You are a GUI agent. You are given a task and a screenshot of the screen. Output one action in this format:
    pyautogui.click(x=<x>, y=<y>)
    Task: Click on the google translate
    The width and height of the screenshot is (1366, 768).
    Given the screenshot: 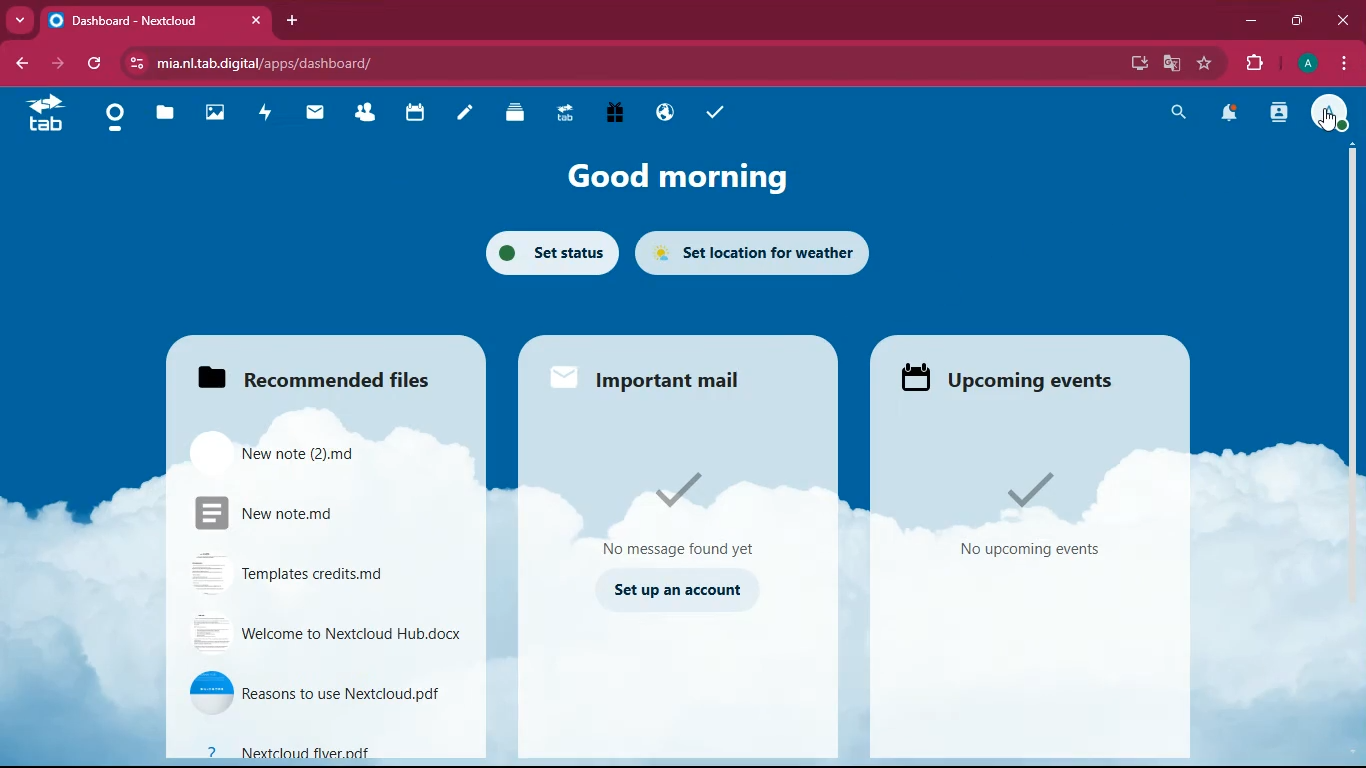 What is the action you would take?
    pyautogui.click(x=1170, y=63)
    